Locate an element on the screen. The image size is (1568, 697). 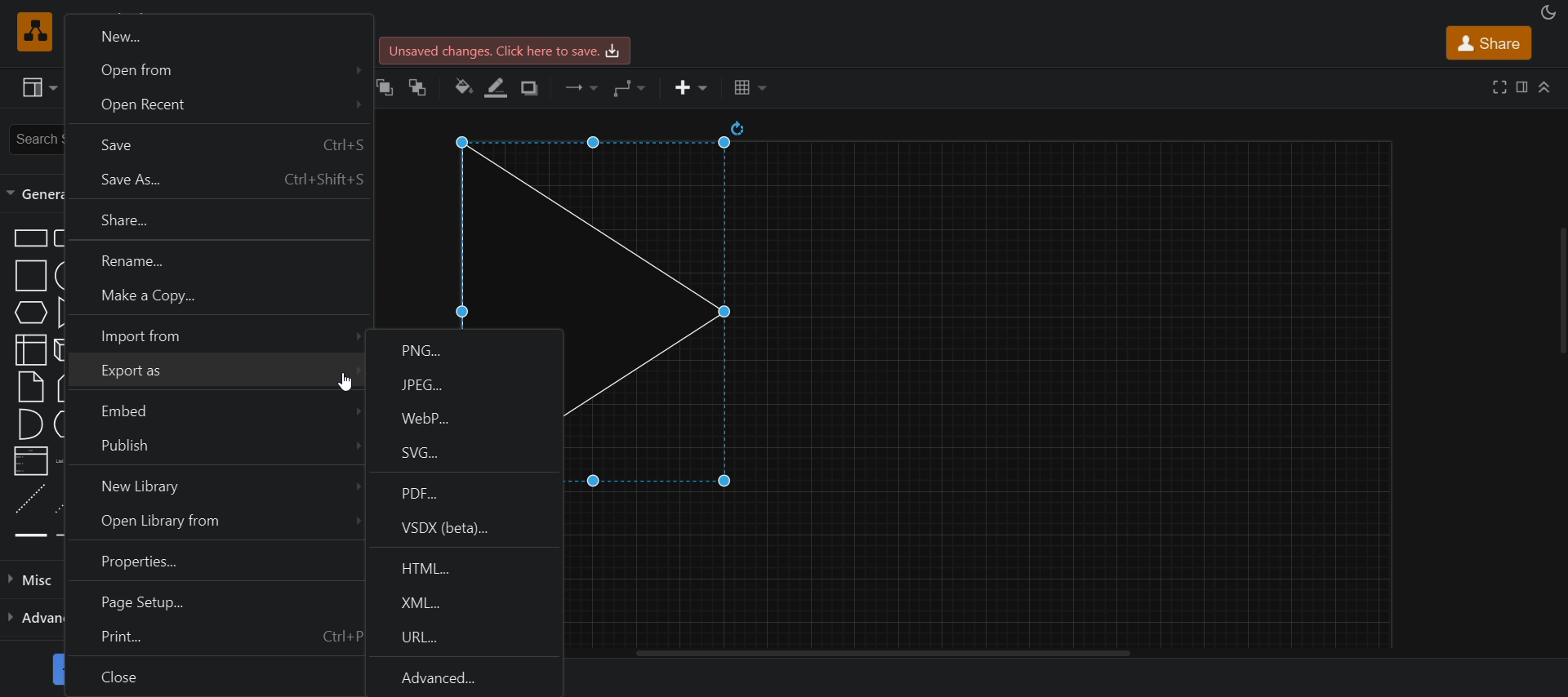
to back is located at coordinates (420, 87).